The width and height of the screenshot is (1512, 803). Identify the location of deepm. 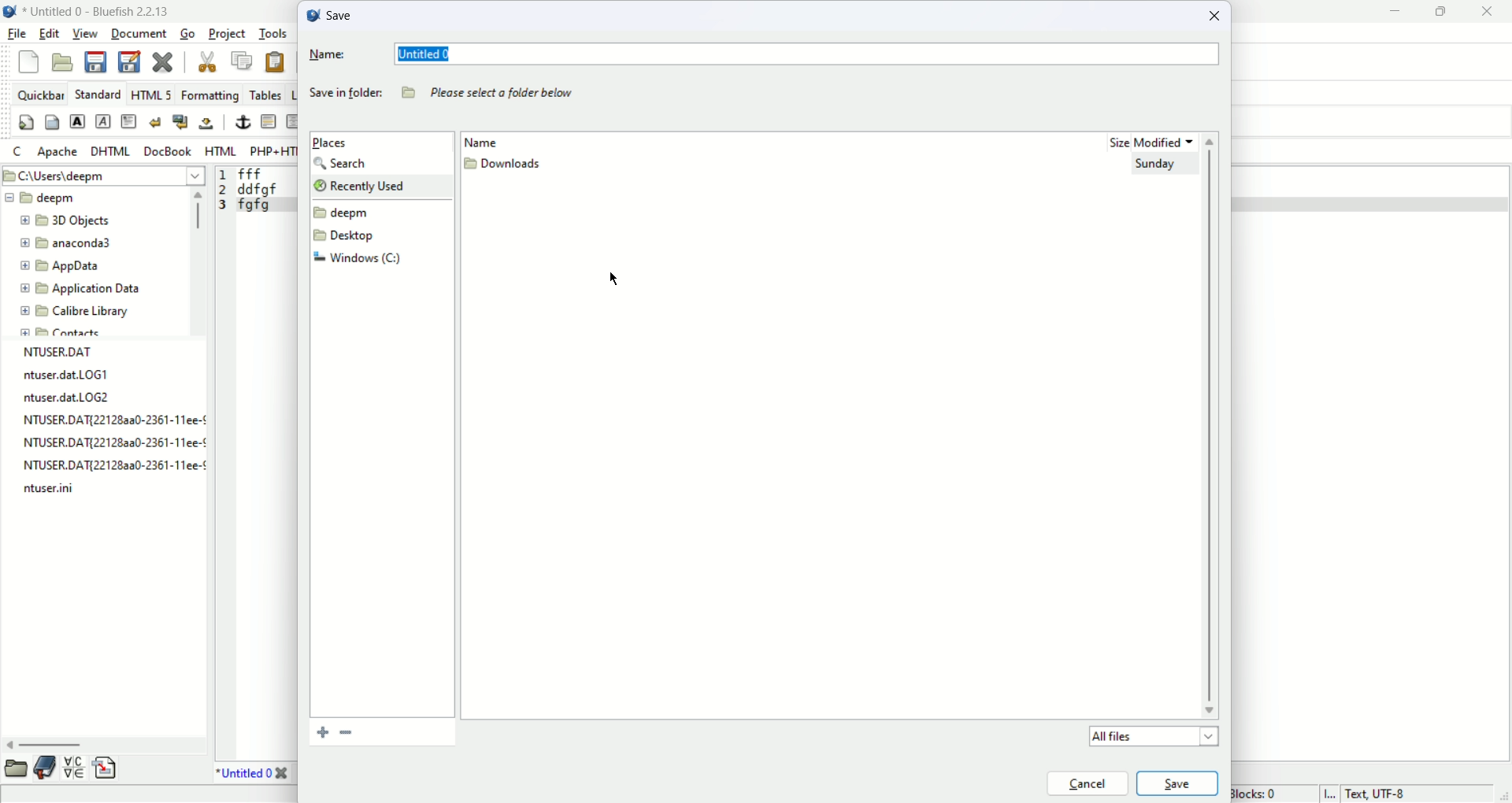
(42, 198).